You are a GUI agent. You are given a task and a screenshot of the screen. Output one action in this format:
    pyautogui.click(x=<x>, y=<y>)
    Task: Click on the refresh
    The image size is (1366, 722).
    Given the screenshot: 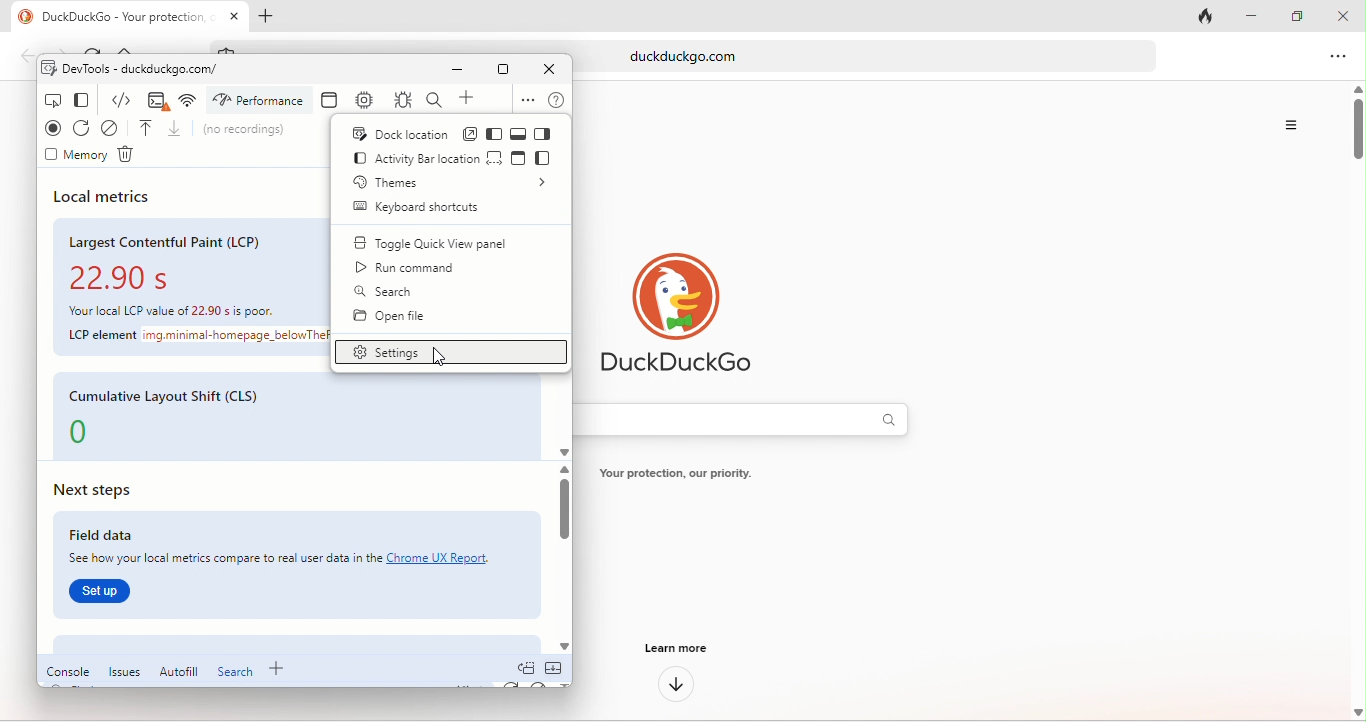 What is the action you would take?
    pyautogui.click(x=84, y=129)
    